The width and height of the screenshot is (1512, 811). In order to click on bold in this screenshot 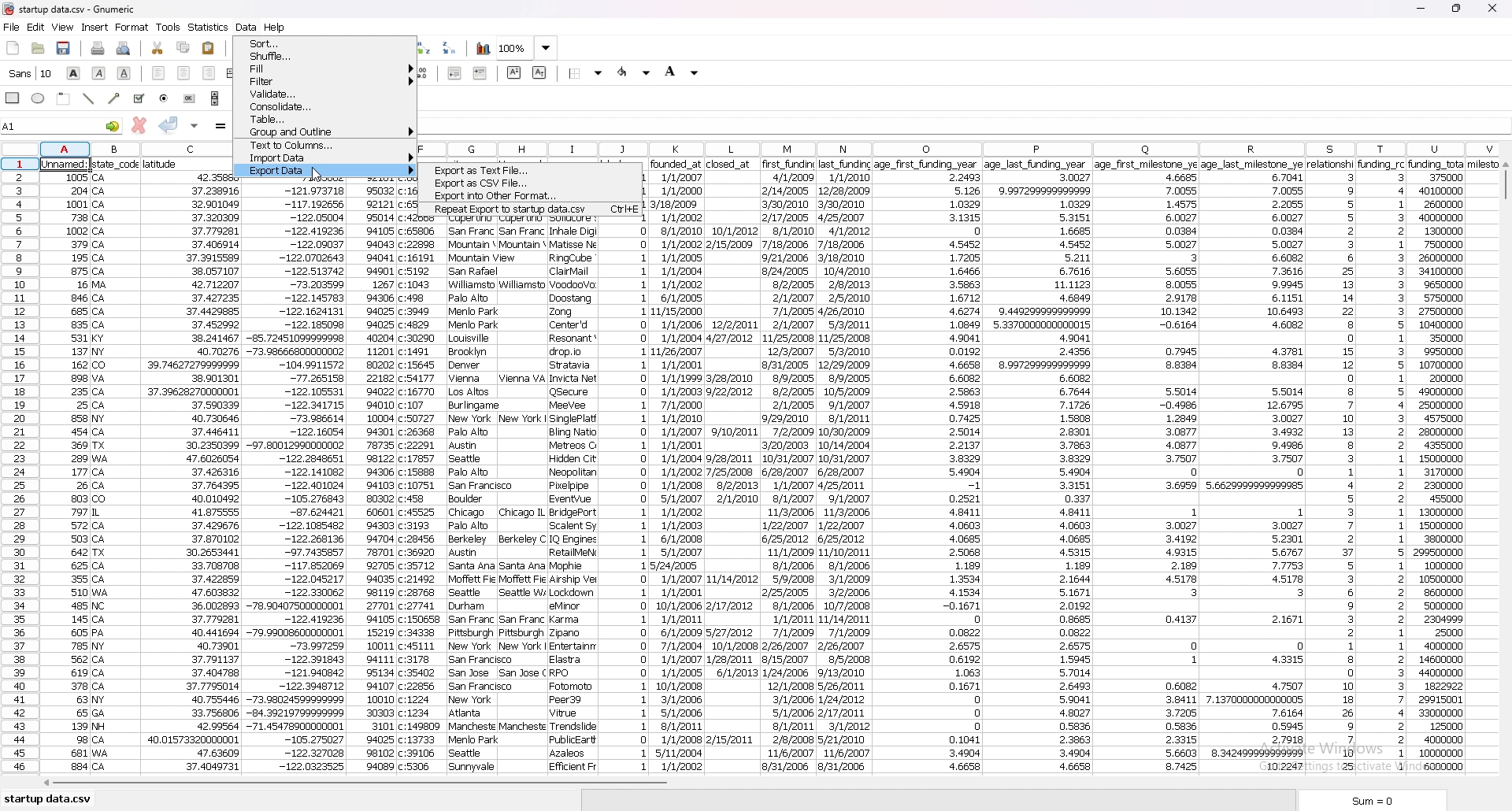, I will do `click(74, 73)`.